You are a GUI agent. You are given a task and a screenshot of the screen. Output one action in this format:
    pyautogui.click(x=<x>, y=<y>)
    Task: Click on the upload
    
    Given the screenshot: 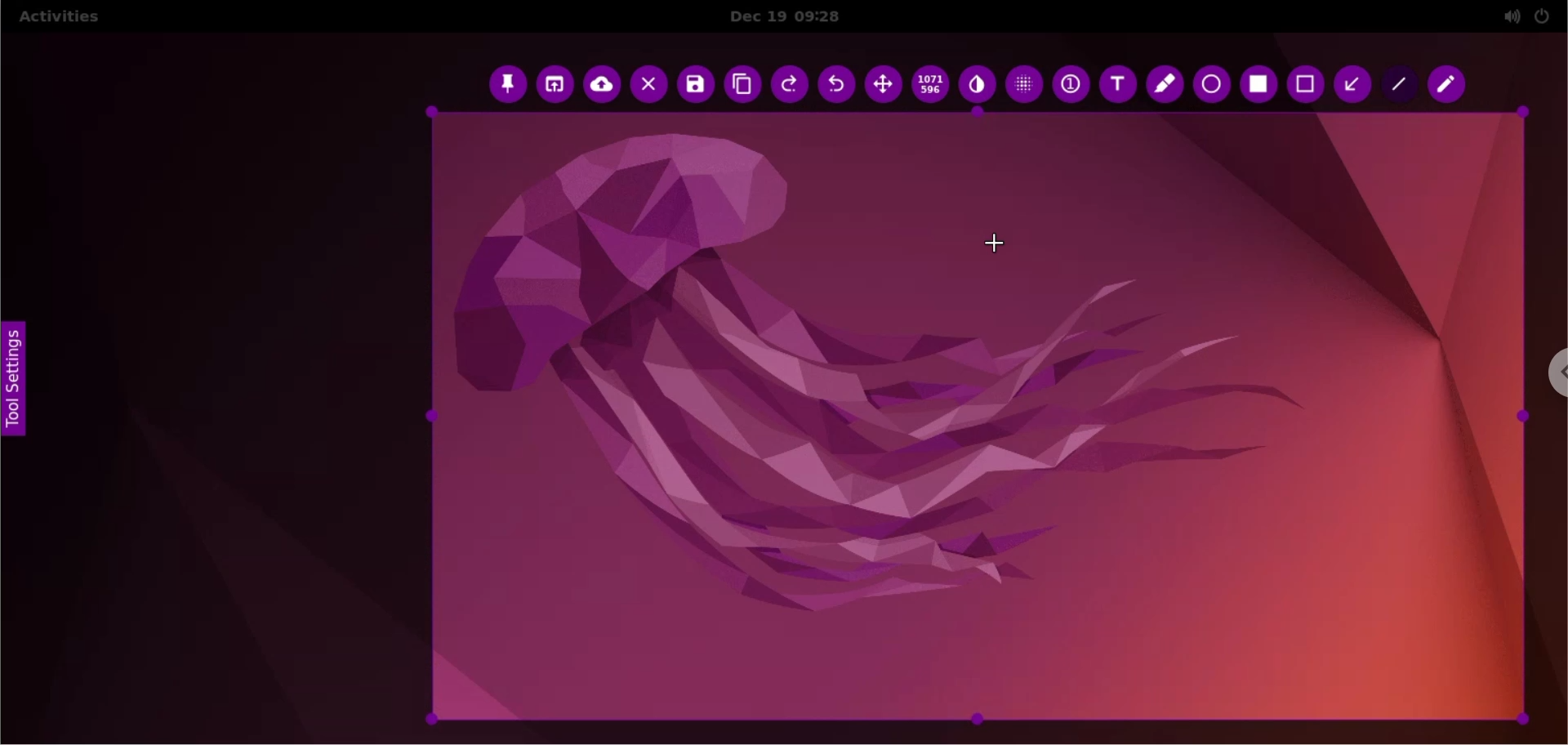 What is the action you would take?
    pyautogui.click(x=604, y=85)
    